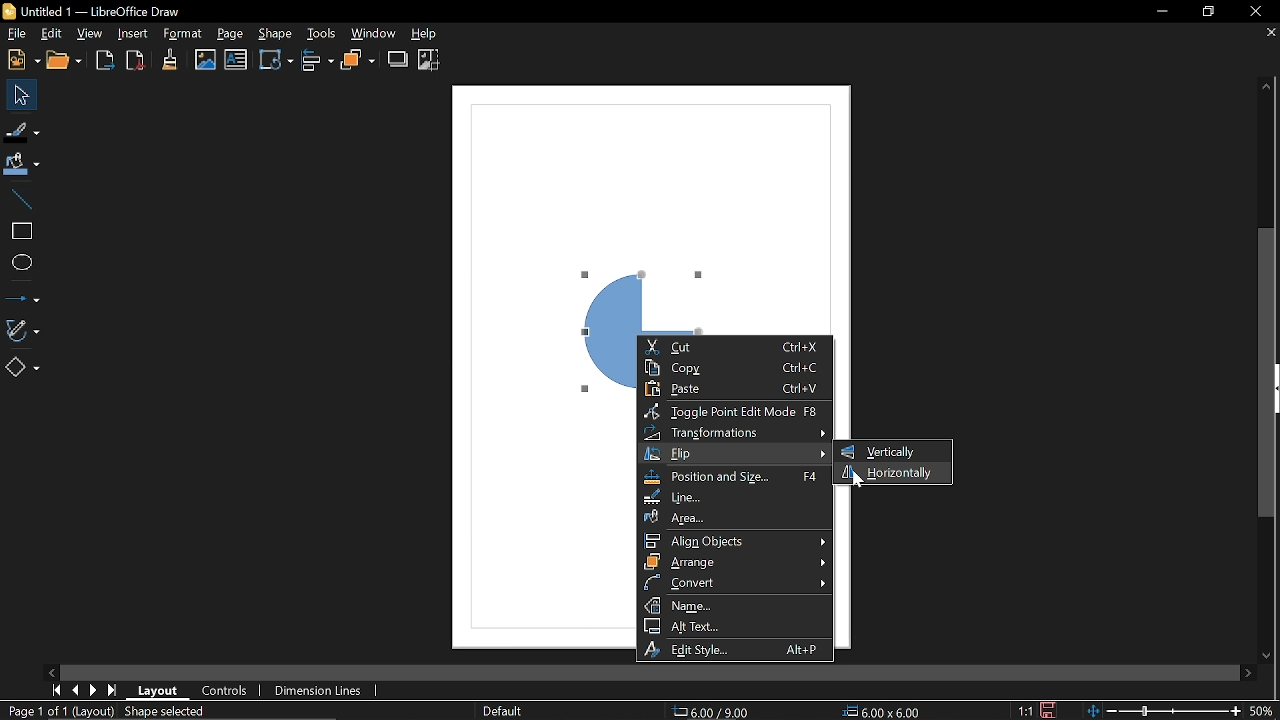 The width and height of the screenshot is (1280, 720). I want to click on File, so click(14, 33).